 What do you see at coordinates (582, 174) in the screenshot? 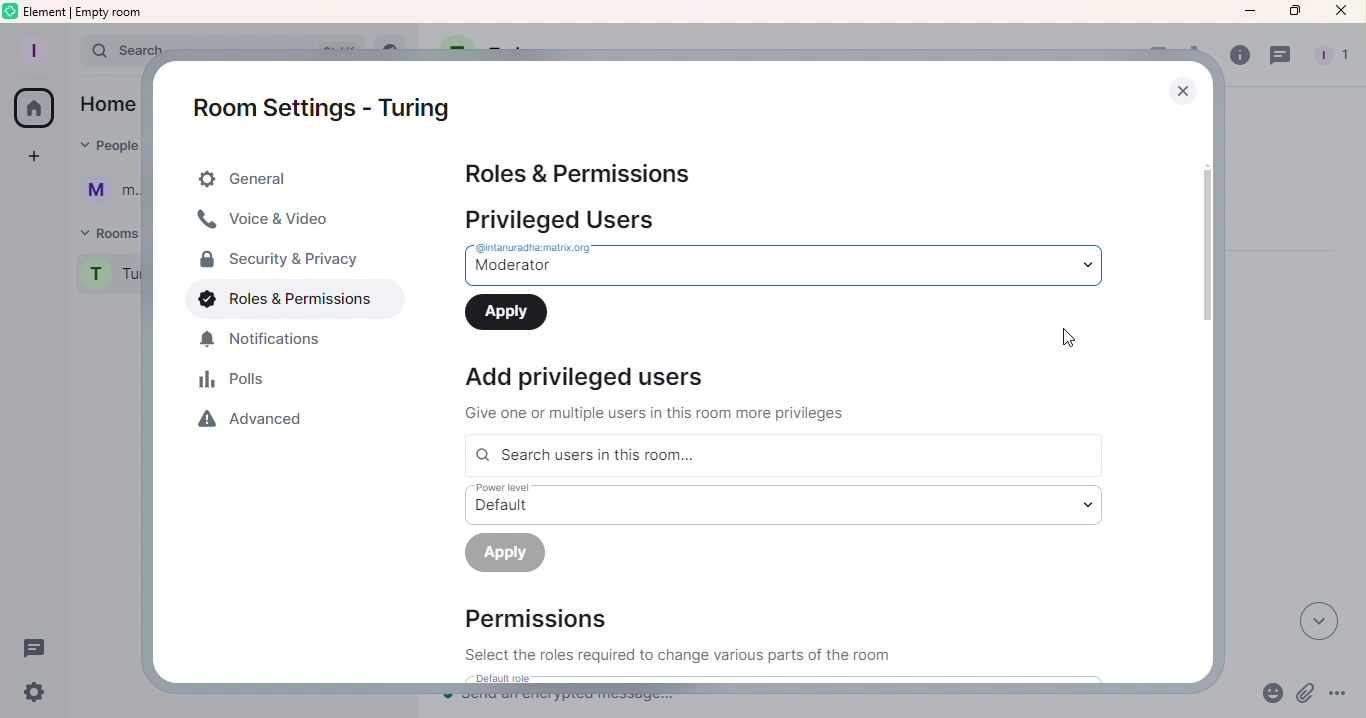
I see `Roles & Permissions` at bounding box center [582, 174].